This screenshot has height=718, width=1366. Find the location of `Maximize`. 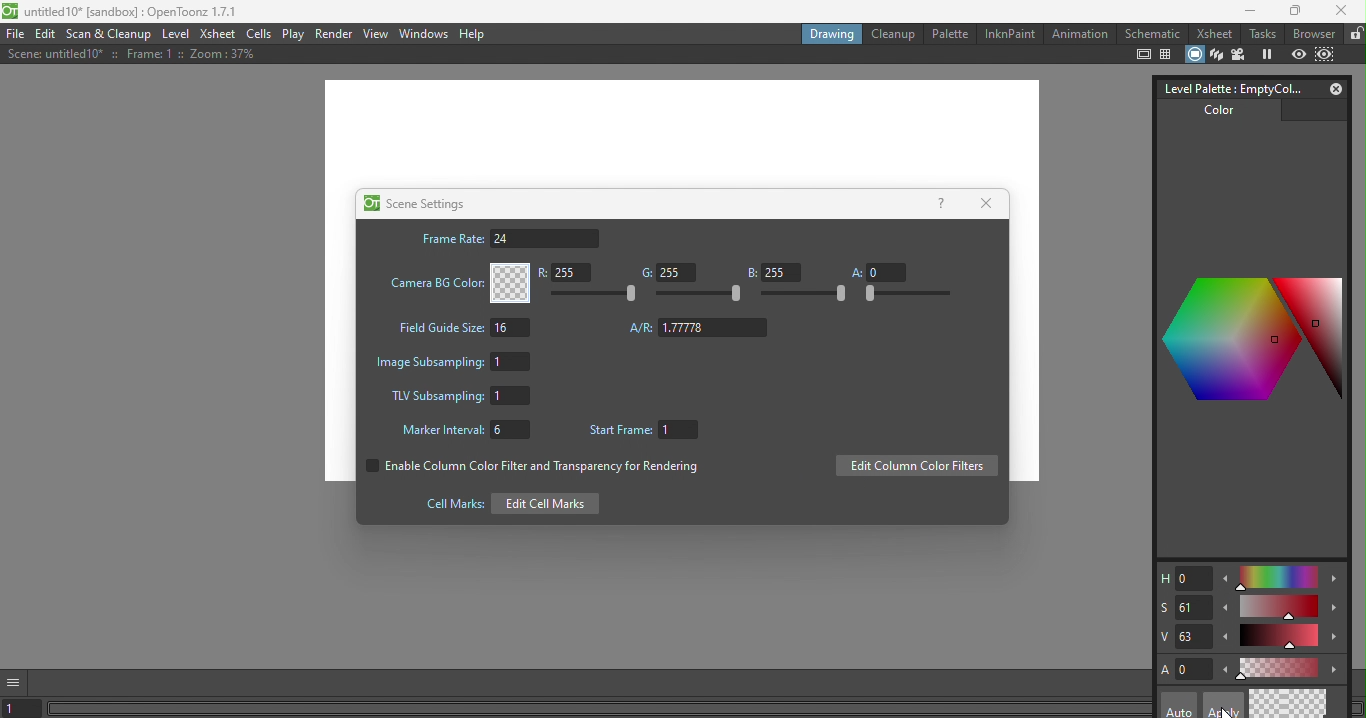

Maximize is located at coordinates (1292, 12).